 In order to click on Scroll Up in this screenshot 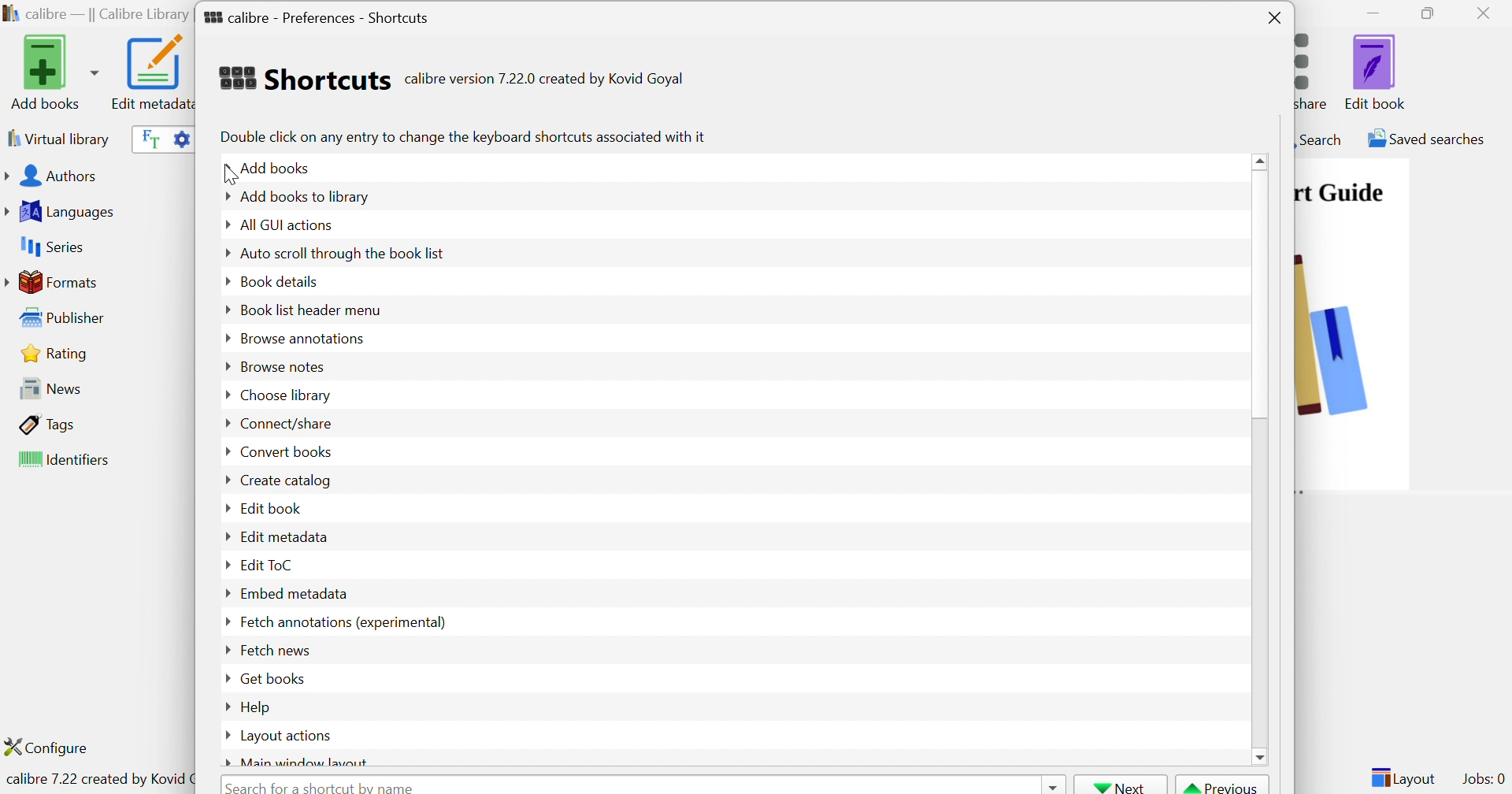, I will do `click(1262, 160)`.